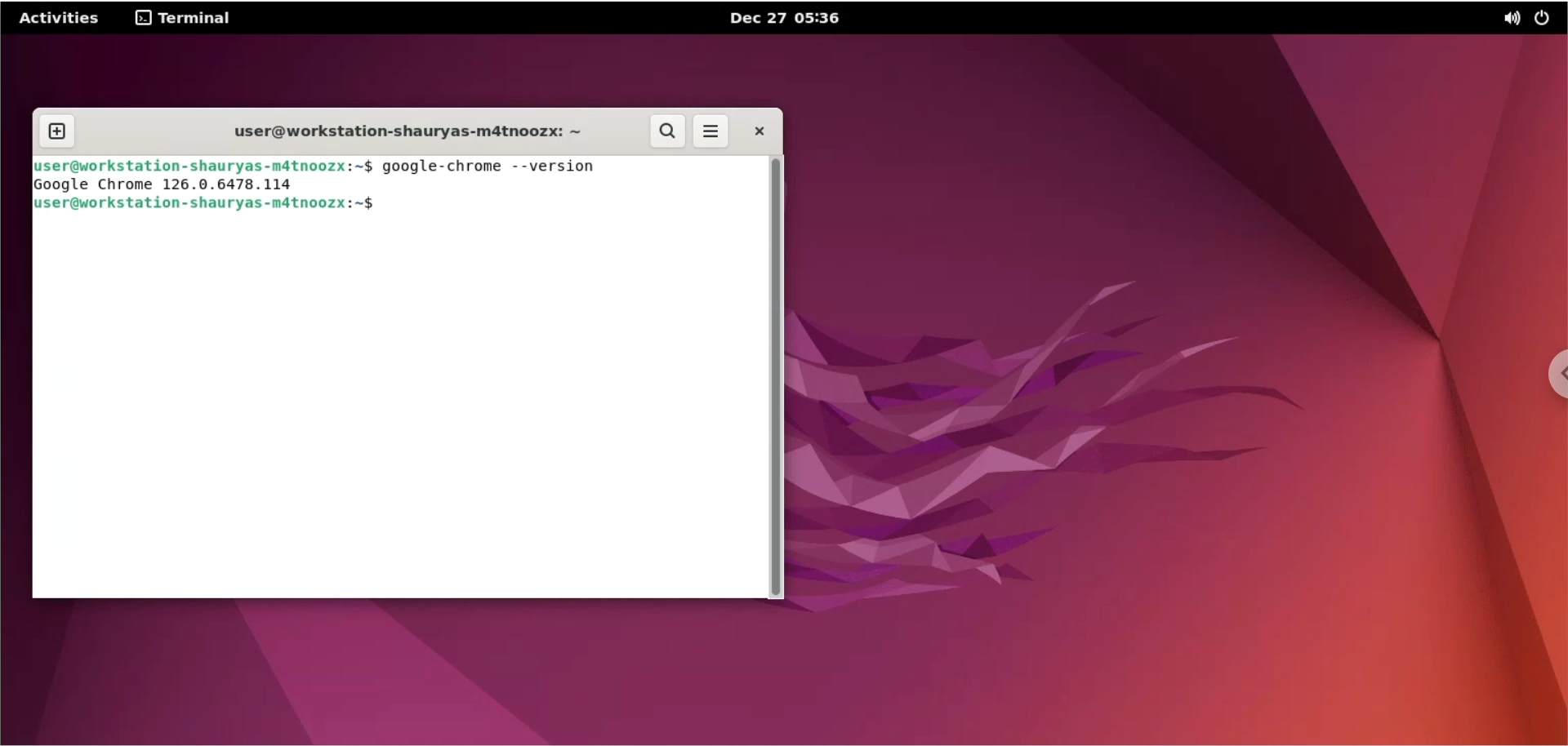 This screenshot has height=746, width=1568. Describe the element at coordinates (492, 167) in the screenshot. I see `google-chrome --version` at that location.